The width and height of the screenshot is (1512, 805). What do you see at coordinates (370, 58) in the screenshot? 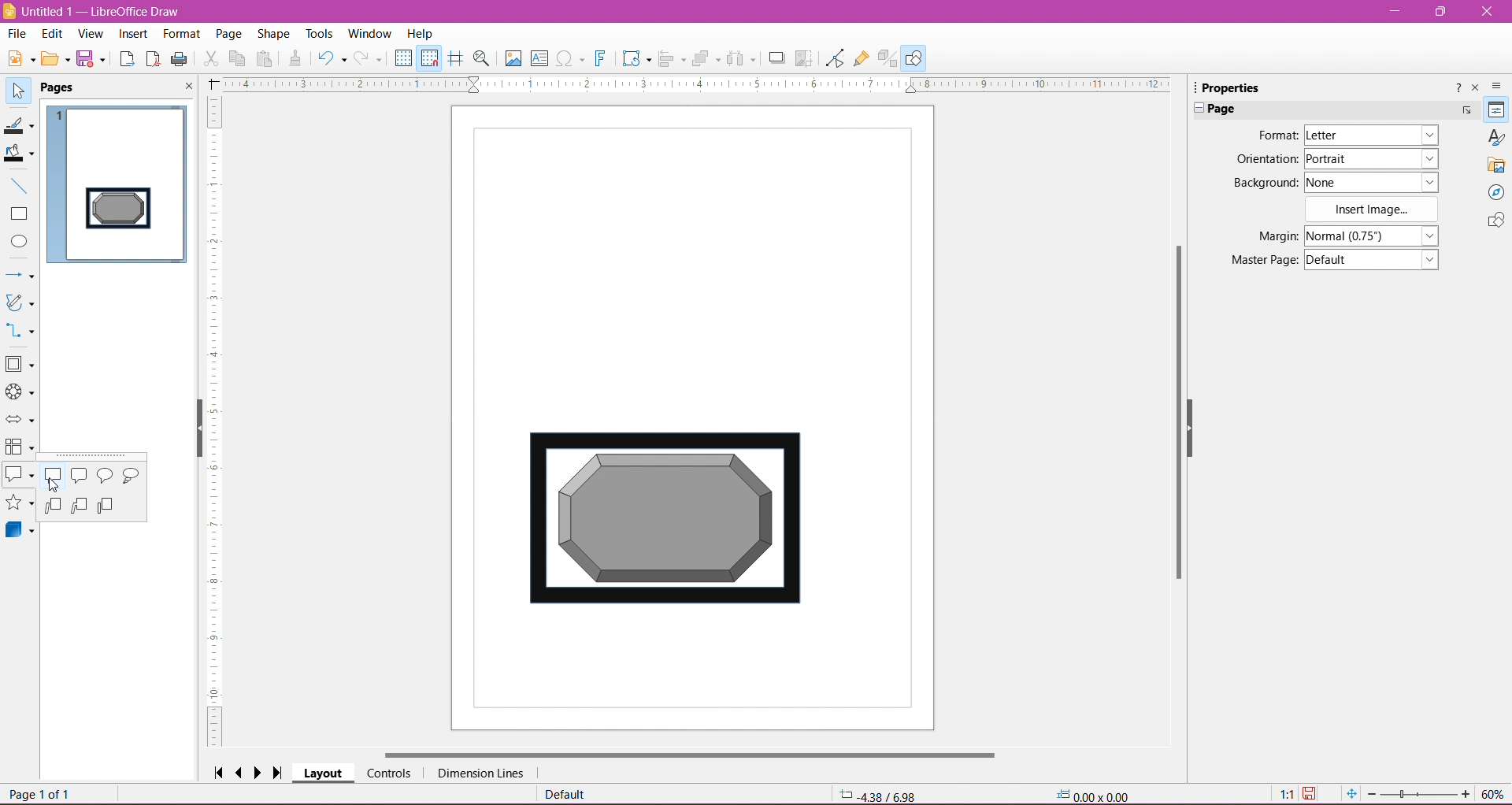
I see `Redo` at bounding box center [370, 58].